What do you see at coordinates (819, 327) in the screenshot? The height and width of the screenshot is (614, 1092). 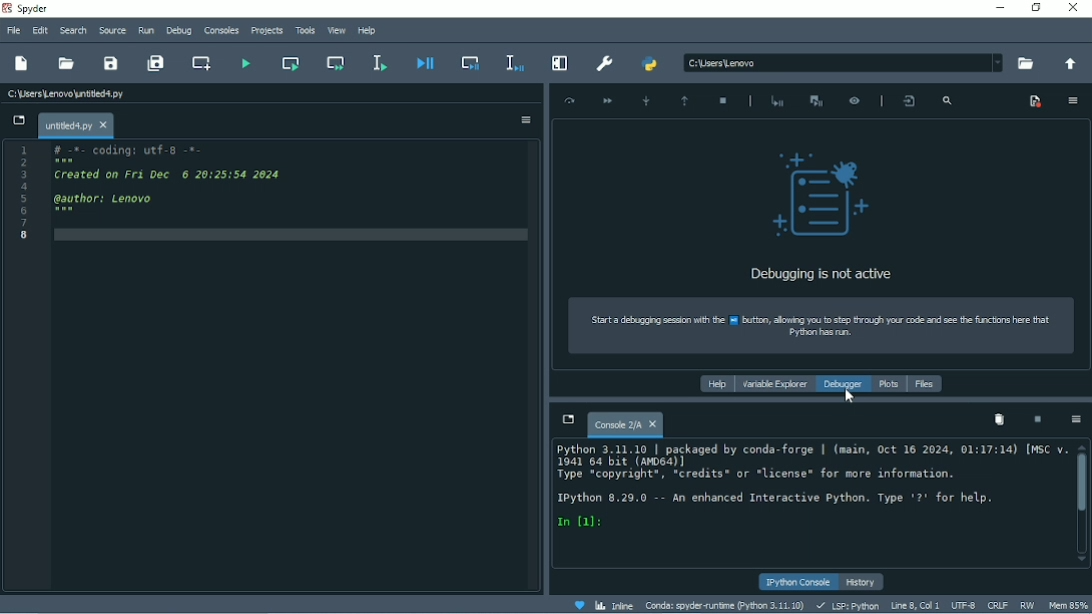 I see `Strt debugging sean with he 1 uti, lowing you sep Sag you code ae se he cons hr tat
Byon has` at bounding box center [819, 327].